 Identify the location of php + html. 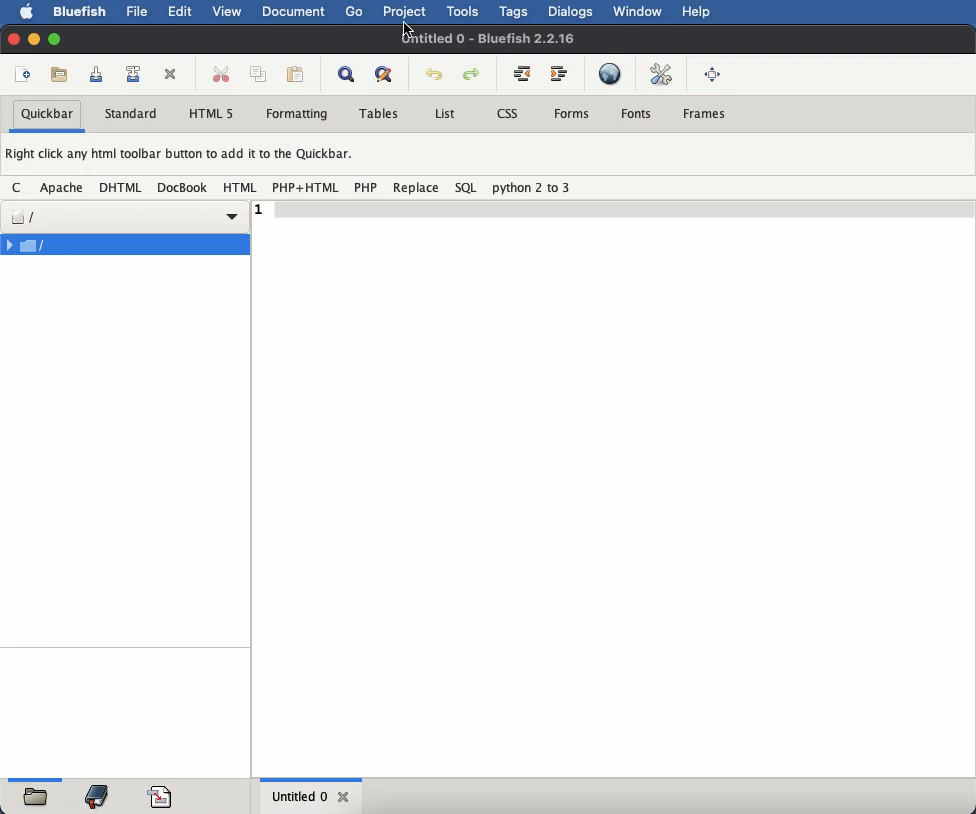
(306, 187).